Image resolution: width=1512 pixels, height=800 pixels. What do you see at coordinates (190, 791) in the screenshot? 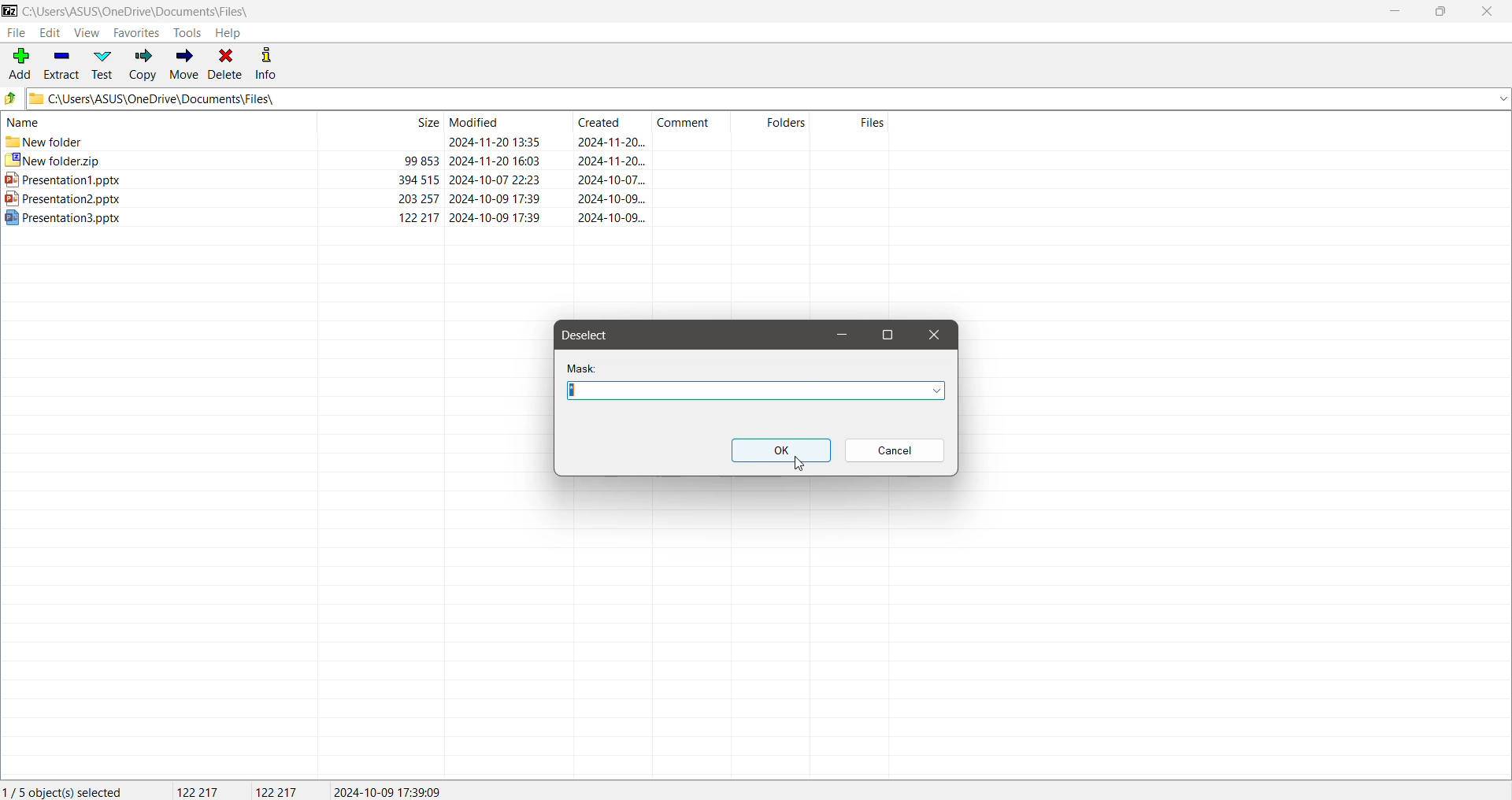
I see `Total Size of file selected` at bounding box center [190, 791].